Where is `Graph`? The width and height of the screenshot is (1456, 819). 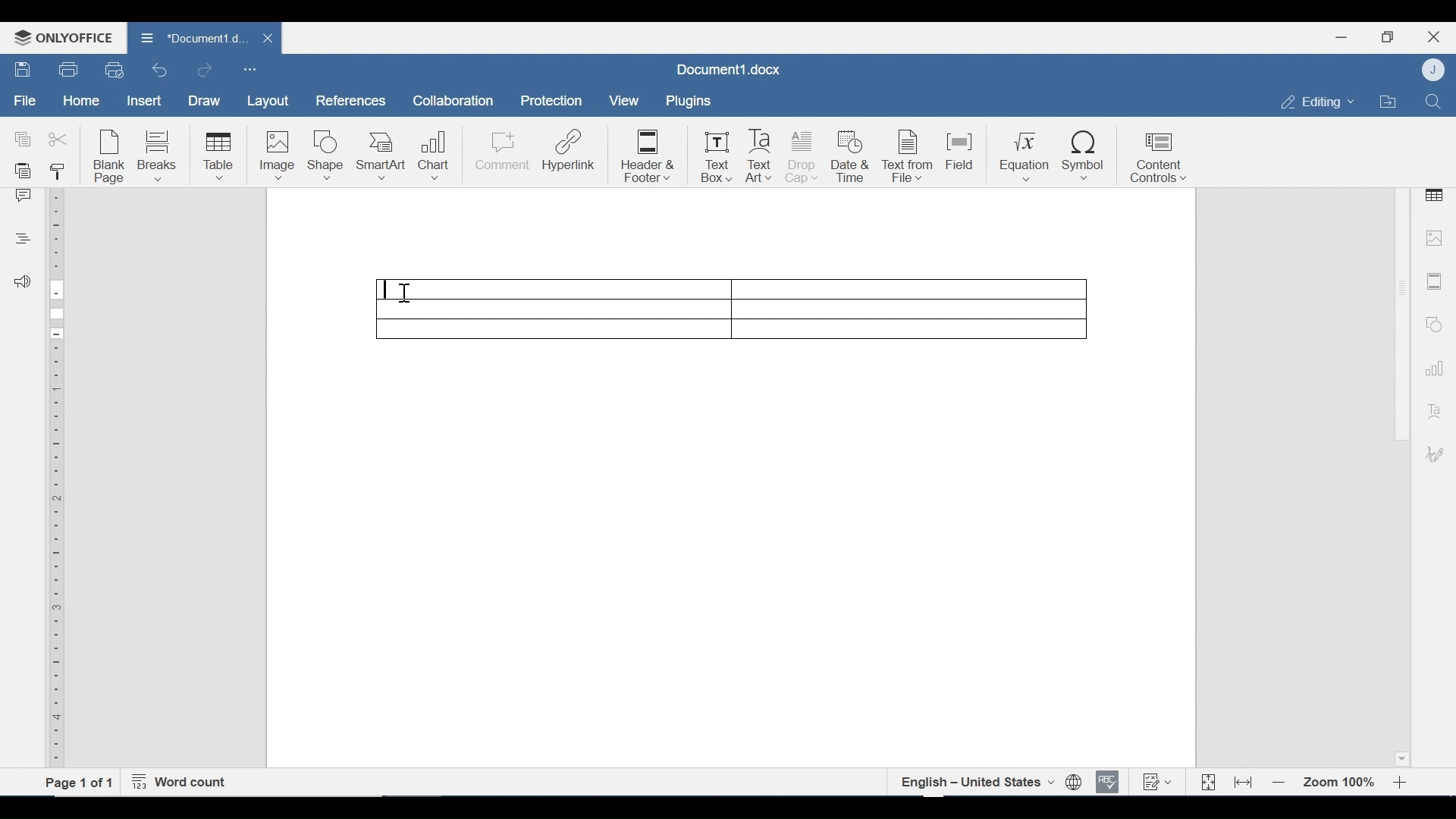
Graph is located at coordinates (1431, 366).